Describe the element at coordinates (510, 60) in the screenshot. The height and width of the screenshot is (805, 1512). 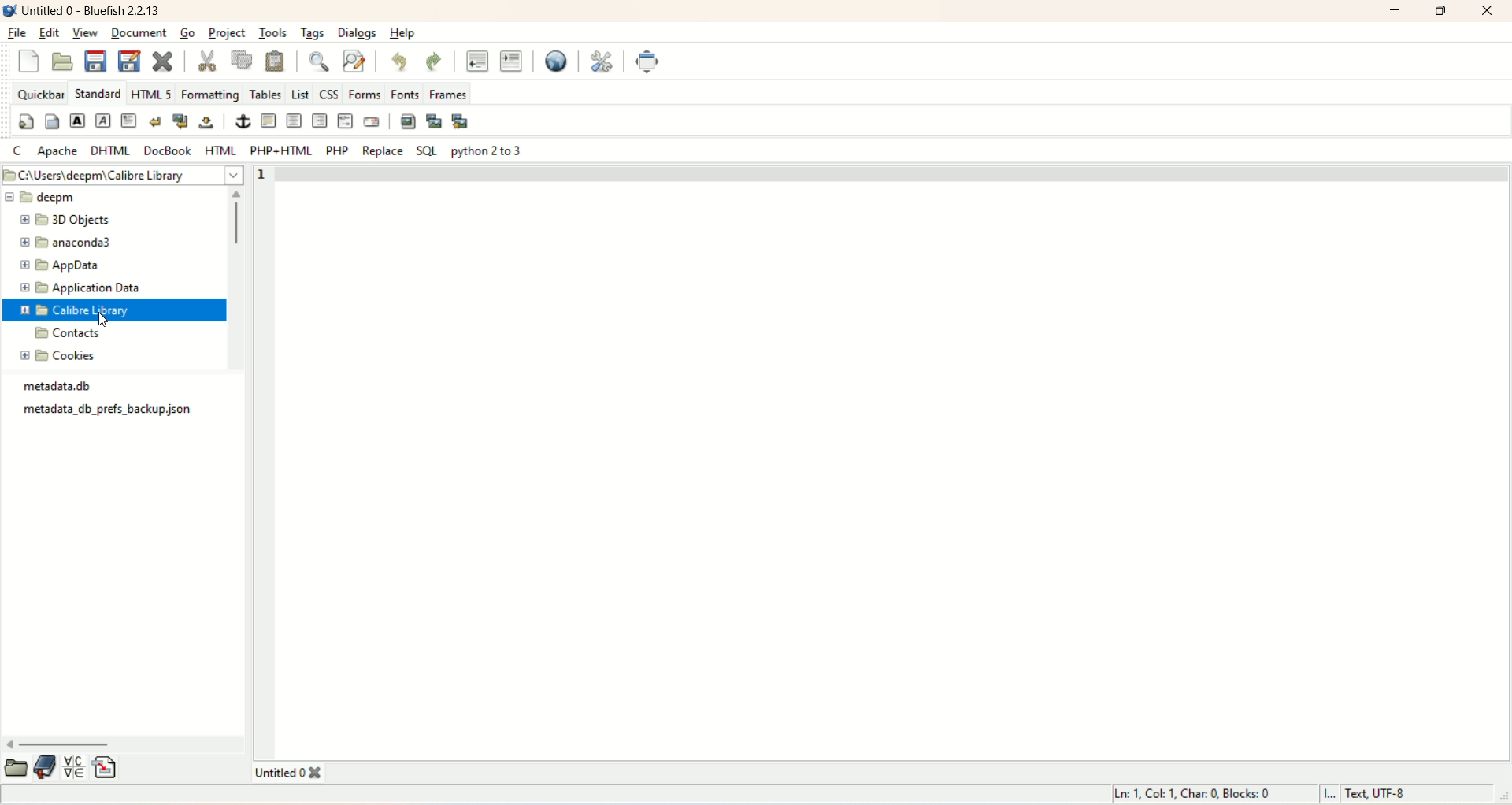
I see `indent` at that location.